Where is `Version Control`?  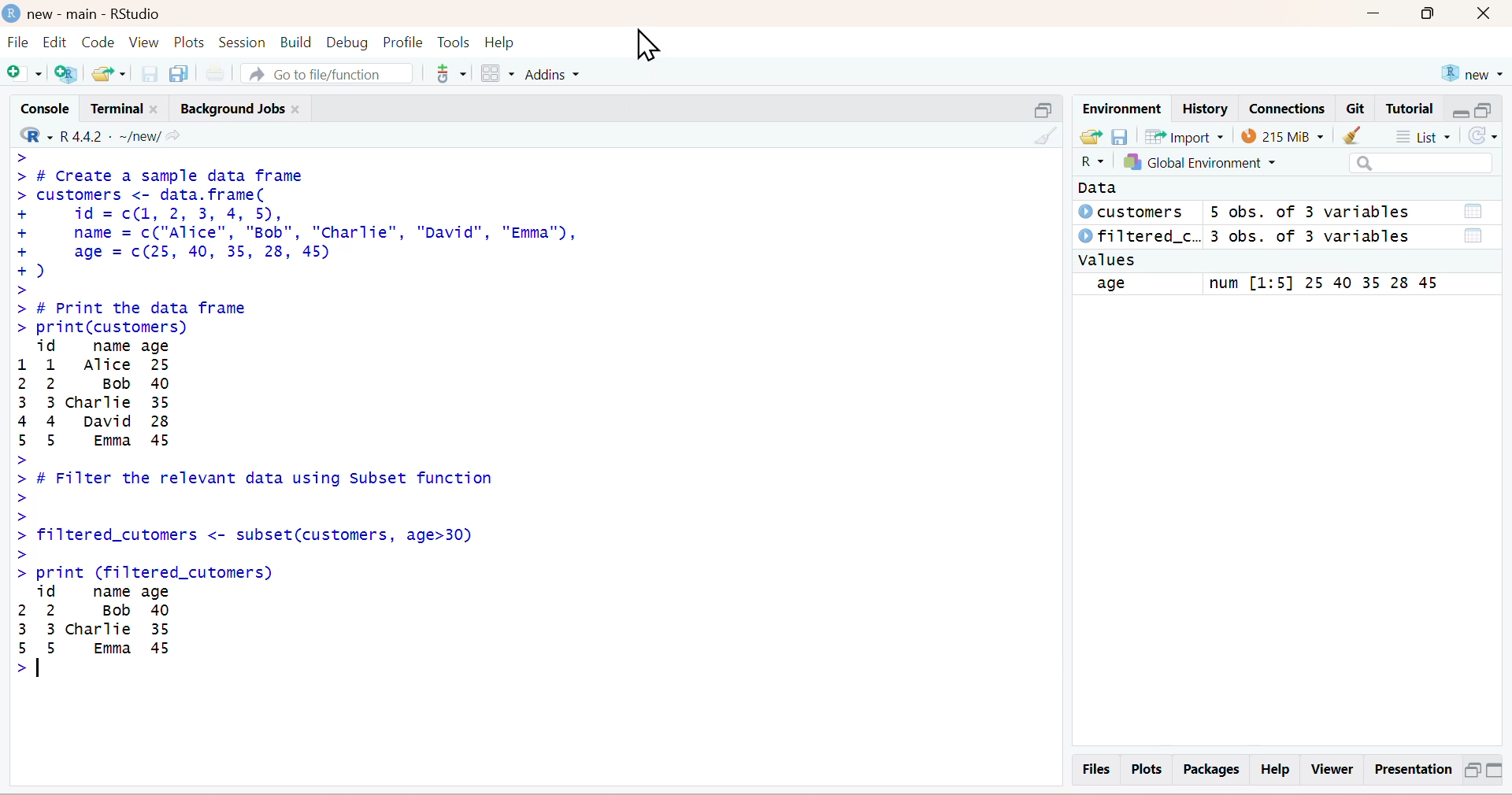
Version Control is located at coordinates (450, 71).